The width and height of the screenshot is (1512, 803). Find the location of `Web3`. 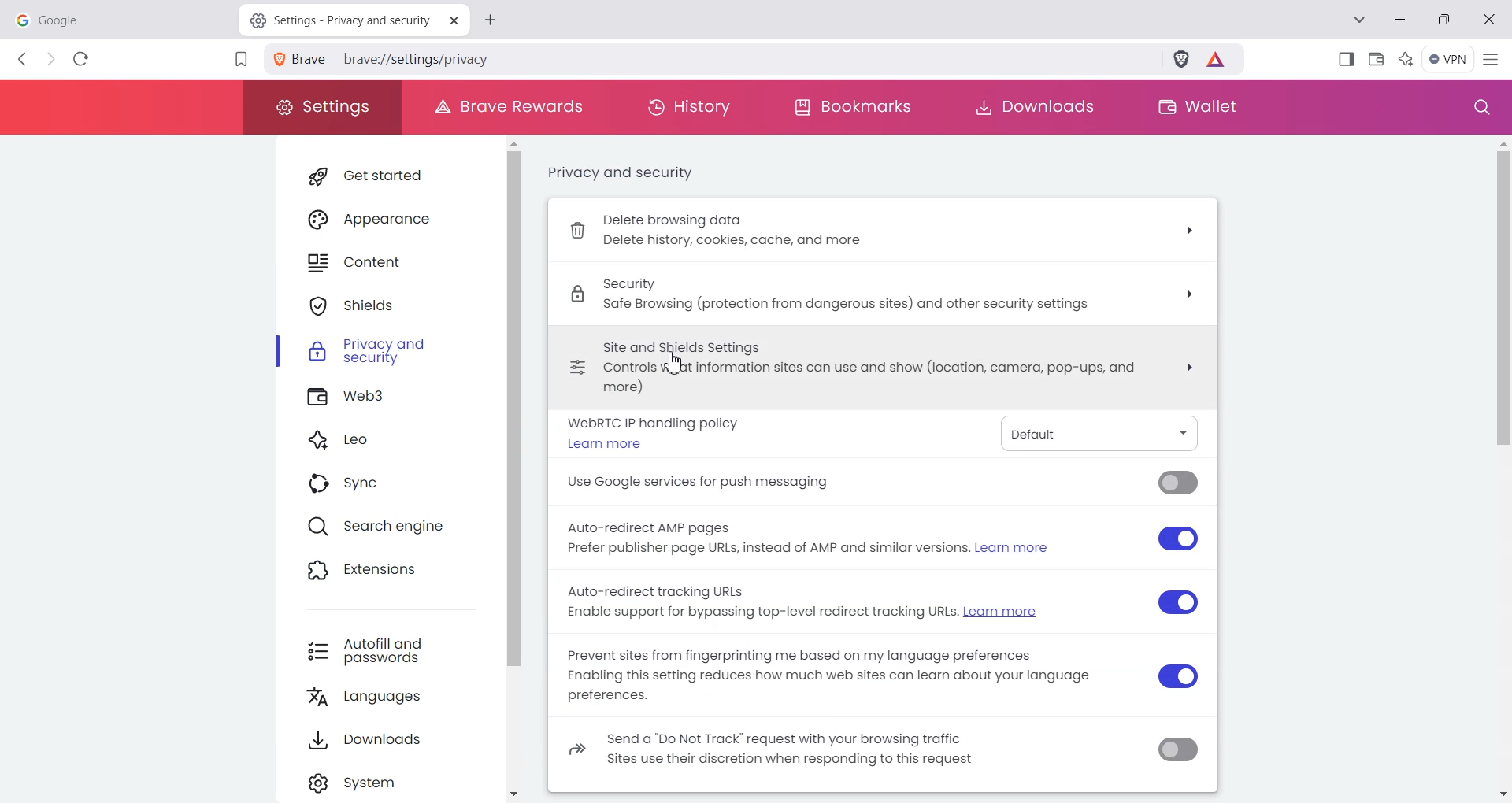

Web3 is located at coordinates (391, 398).